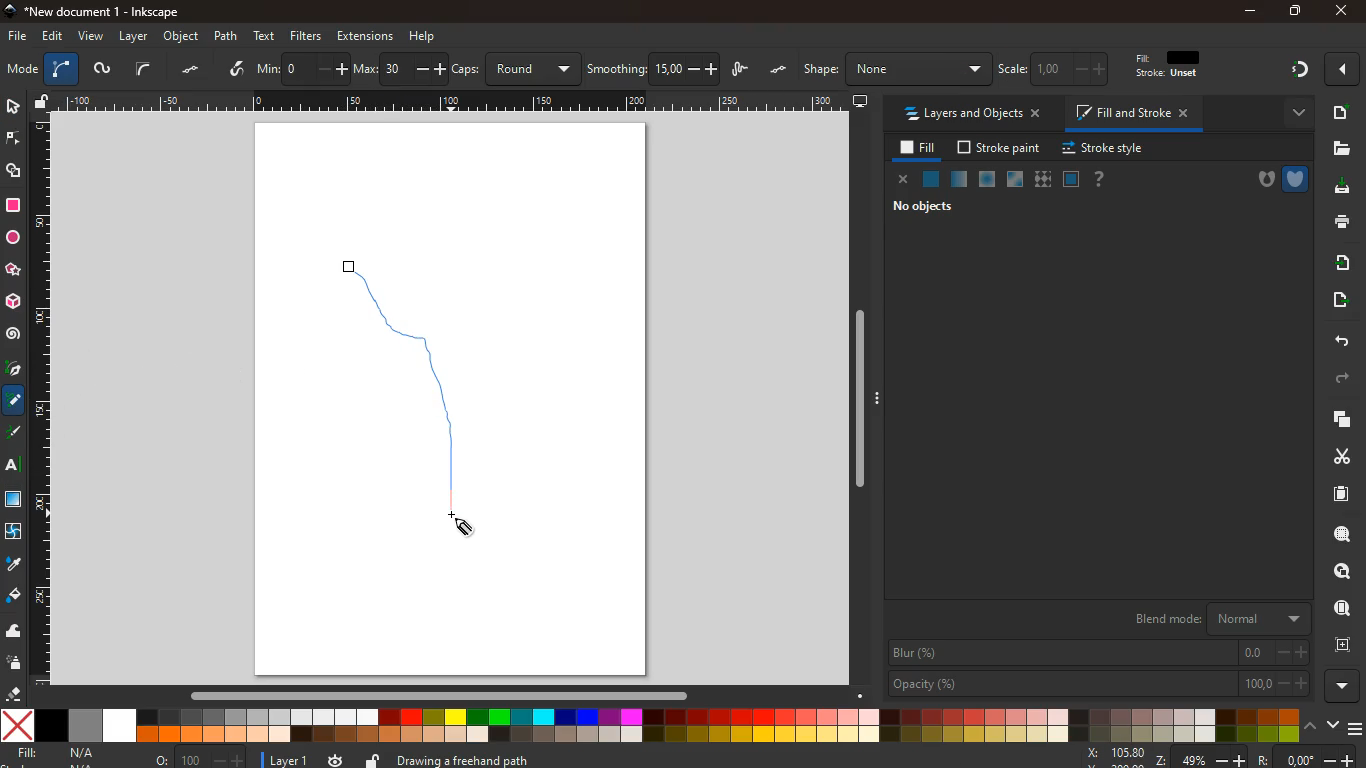 This screenshot has width=1366, height=768. Describe the element at coordinates (1341, 223) in the screenshot. I see `print` at that location.